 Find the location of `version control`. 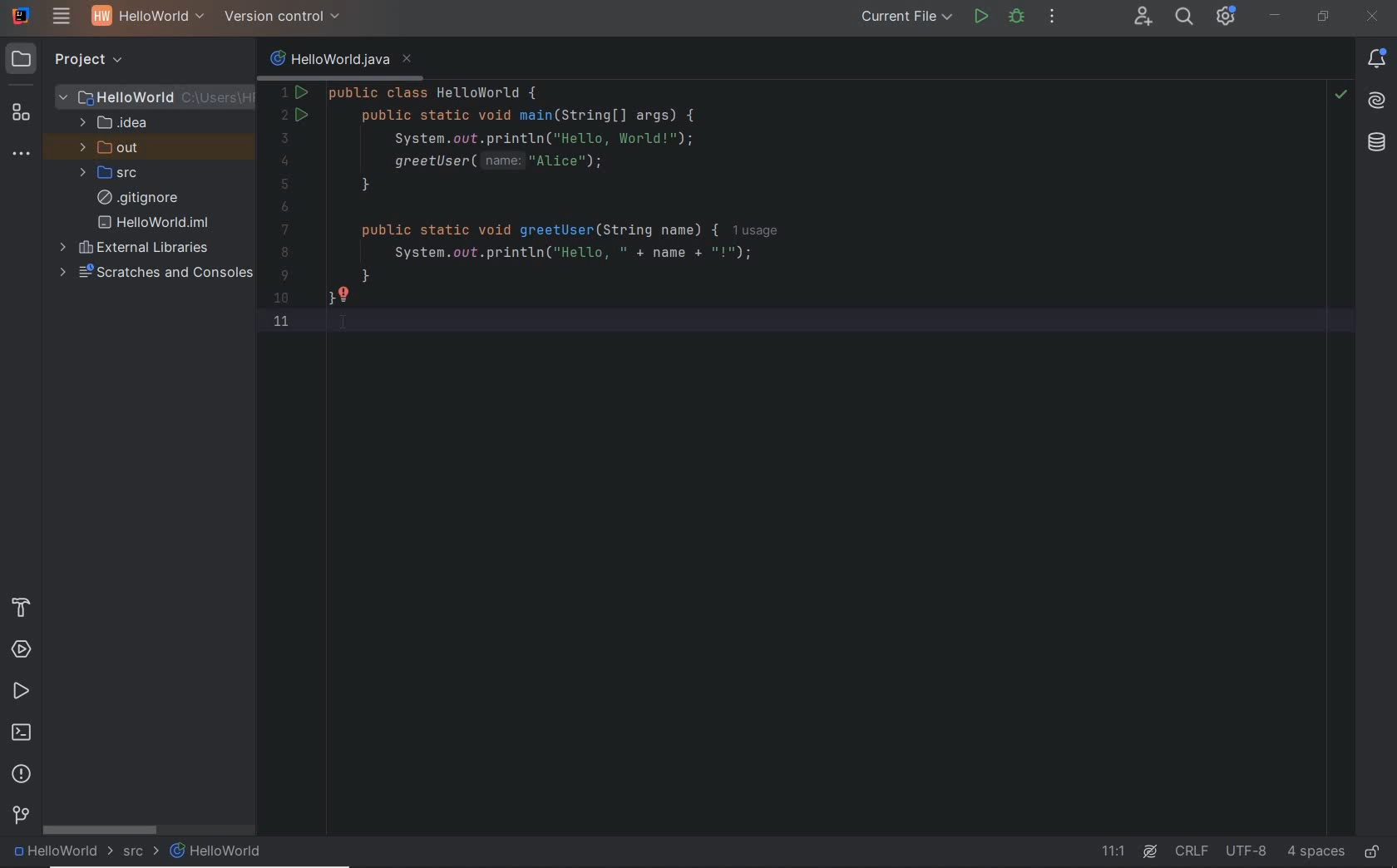

version control is located at coordinates (284, 17).